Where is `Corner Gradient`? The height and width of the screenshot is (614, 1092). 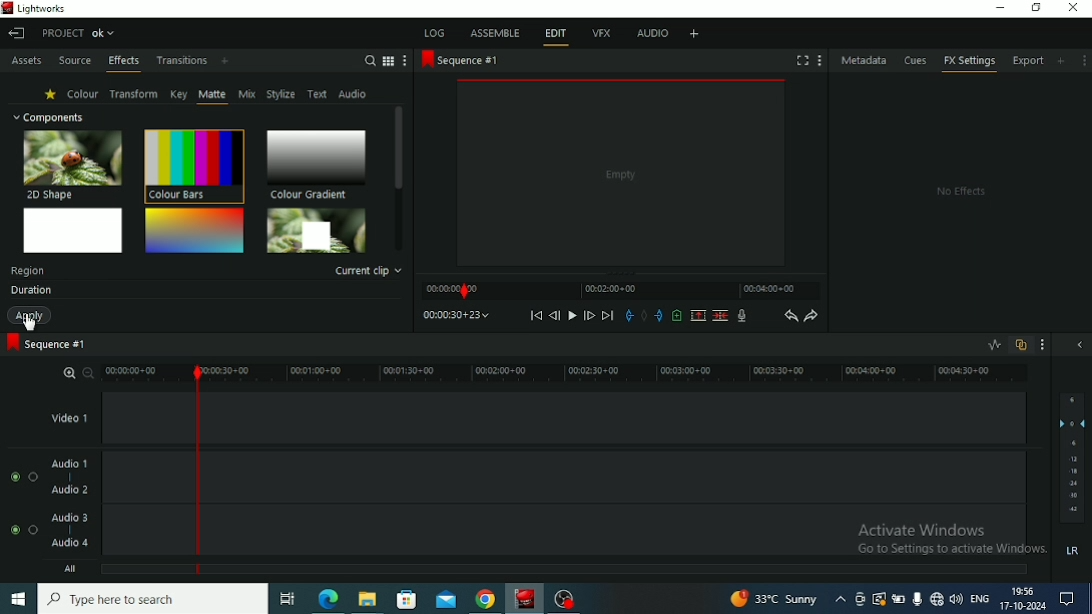 Corner Gradient is located at coordinates (194, 230).